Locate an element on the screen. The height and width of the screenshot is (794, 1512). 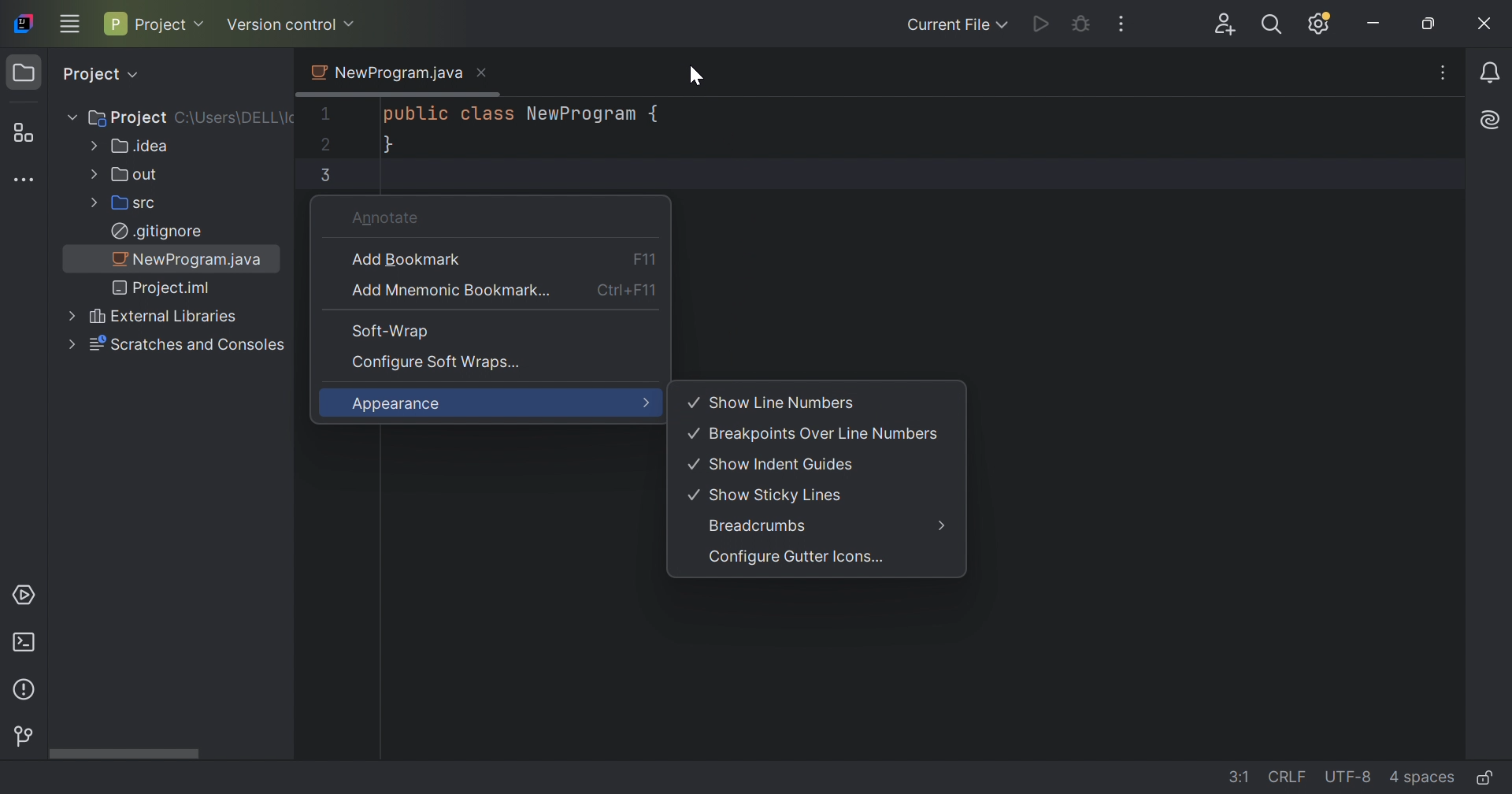
Main menu is located at coordinates (69, 23).